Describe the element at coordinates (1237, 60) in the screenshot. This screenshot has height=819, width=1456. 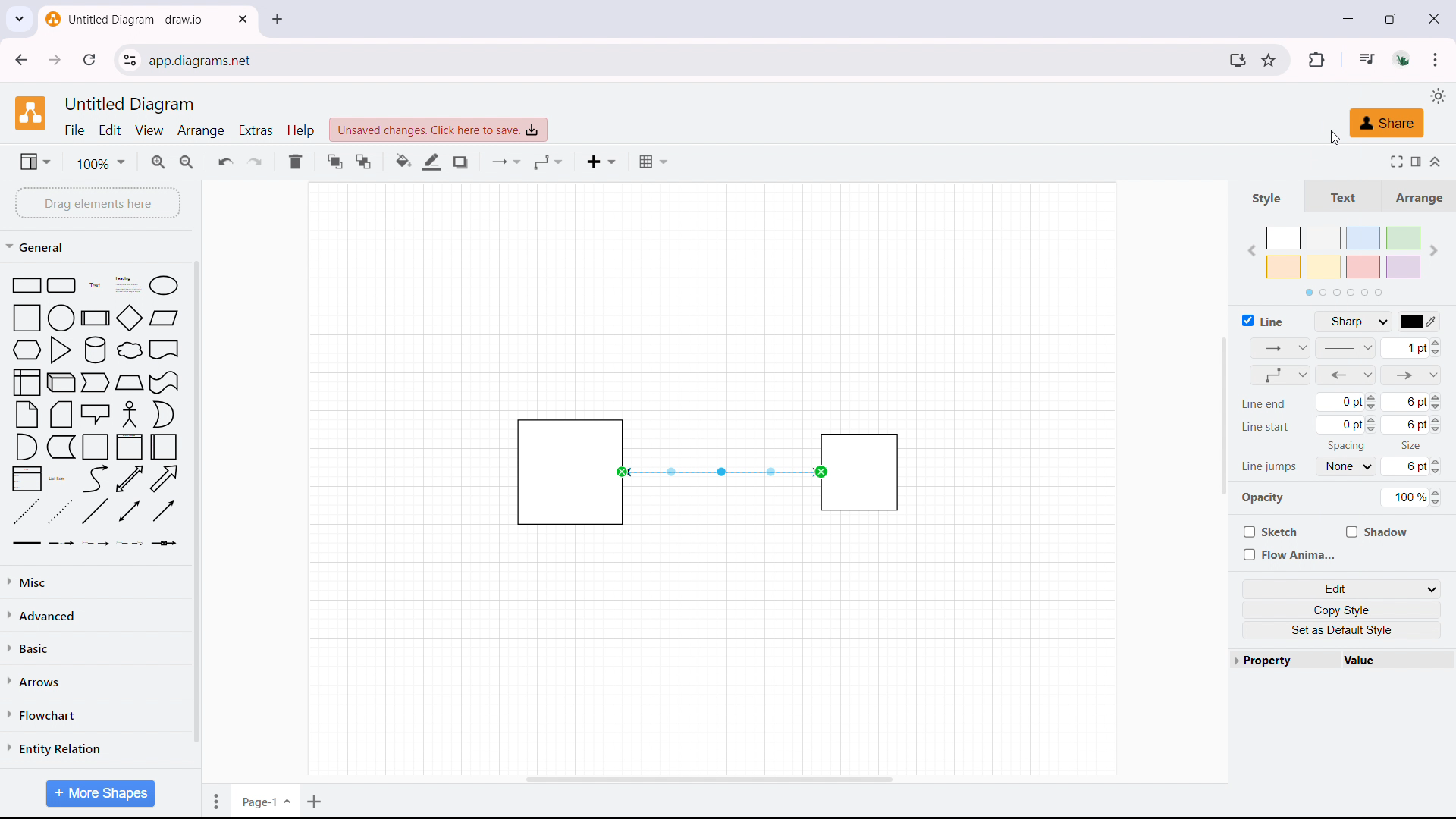
I see `install` at that location.